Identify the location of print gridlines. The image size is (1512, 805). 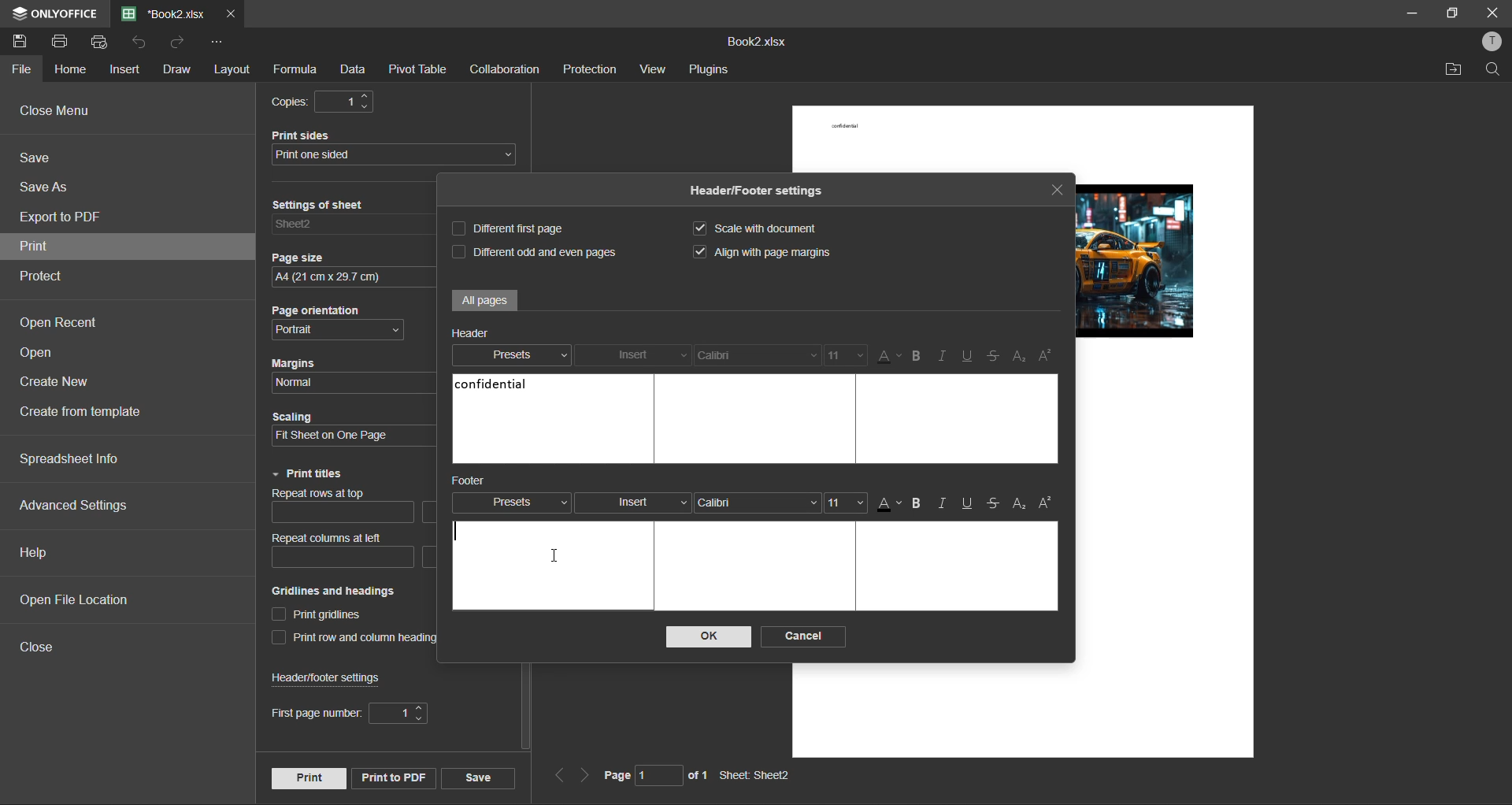
(318, 616).